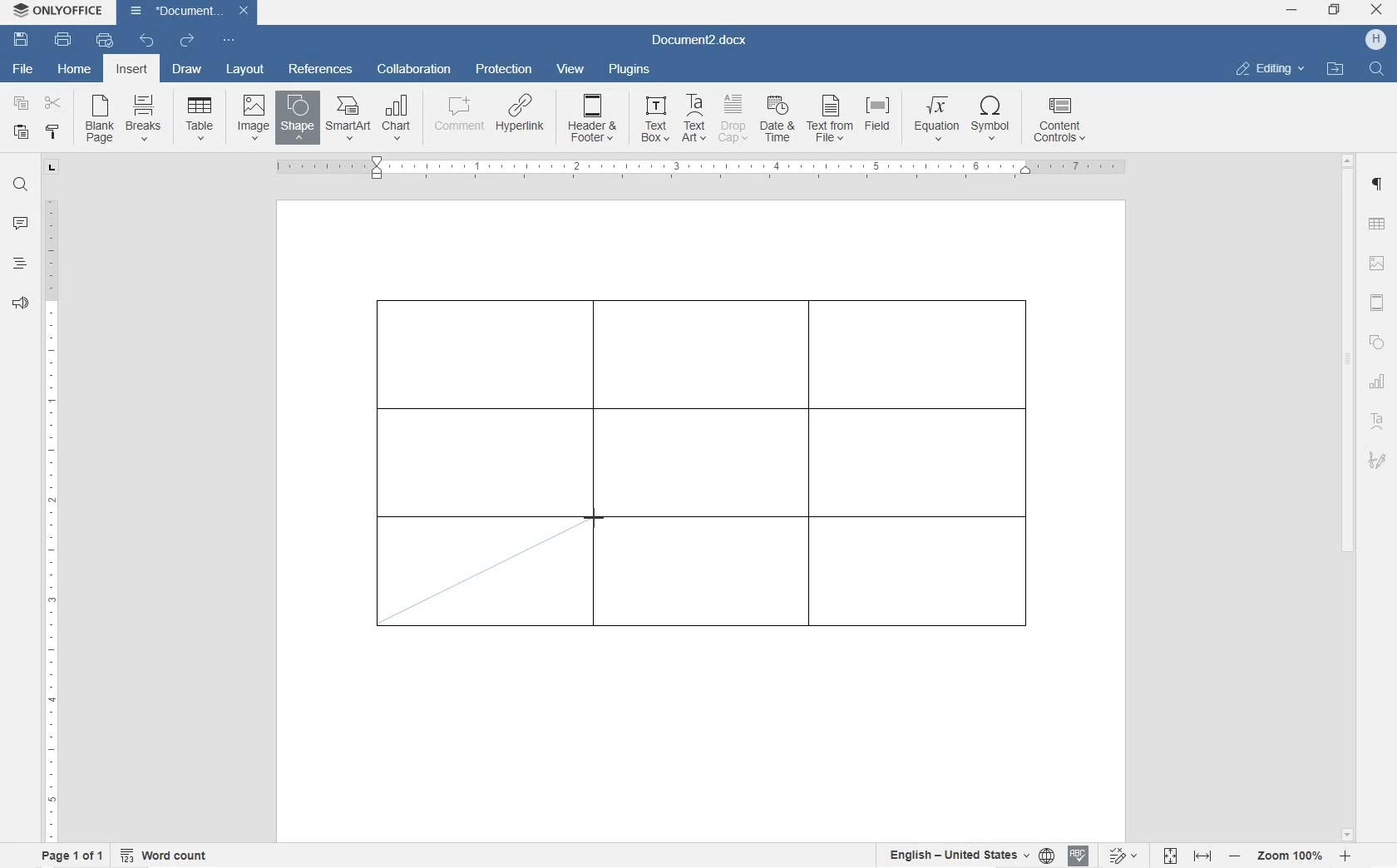 The height and width of the screenshot is (868, 1397). What do you see at coordinates (228, 40) in the screenshot?
I see `customize quick access toolbar` at bounding box center [228, 40].